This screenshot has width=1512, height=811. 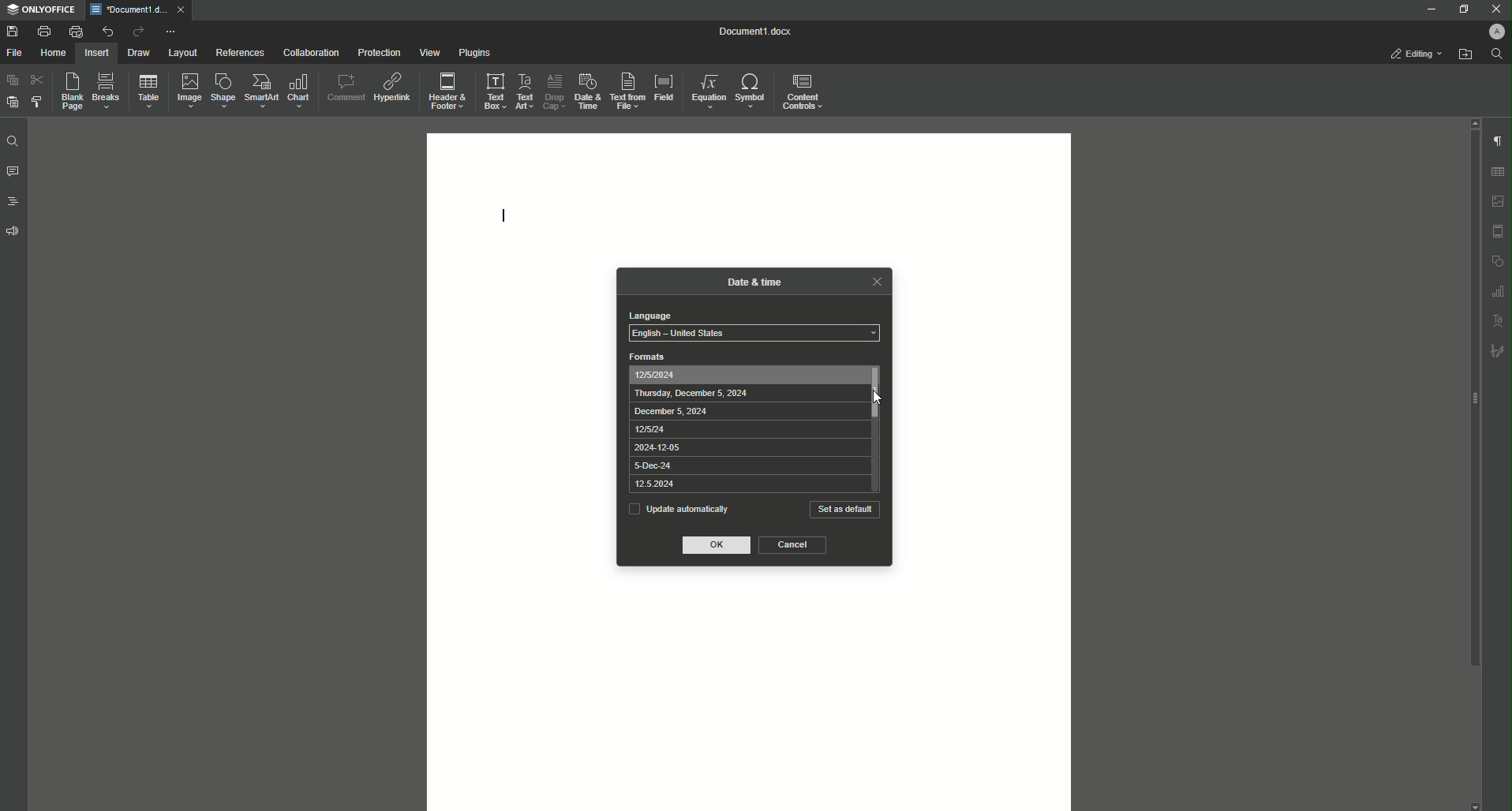 I want to click on Blank Page, so click(x=68, y=92).